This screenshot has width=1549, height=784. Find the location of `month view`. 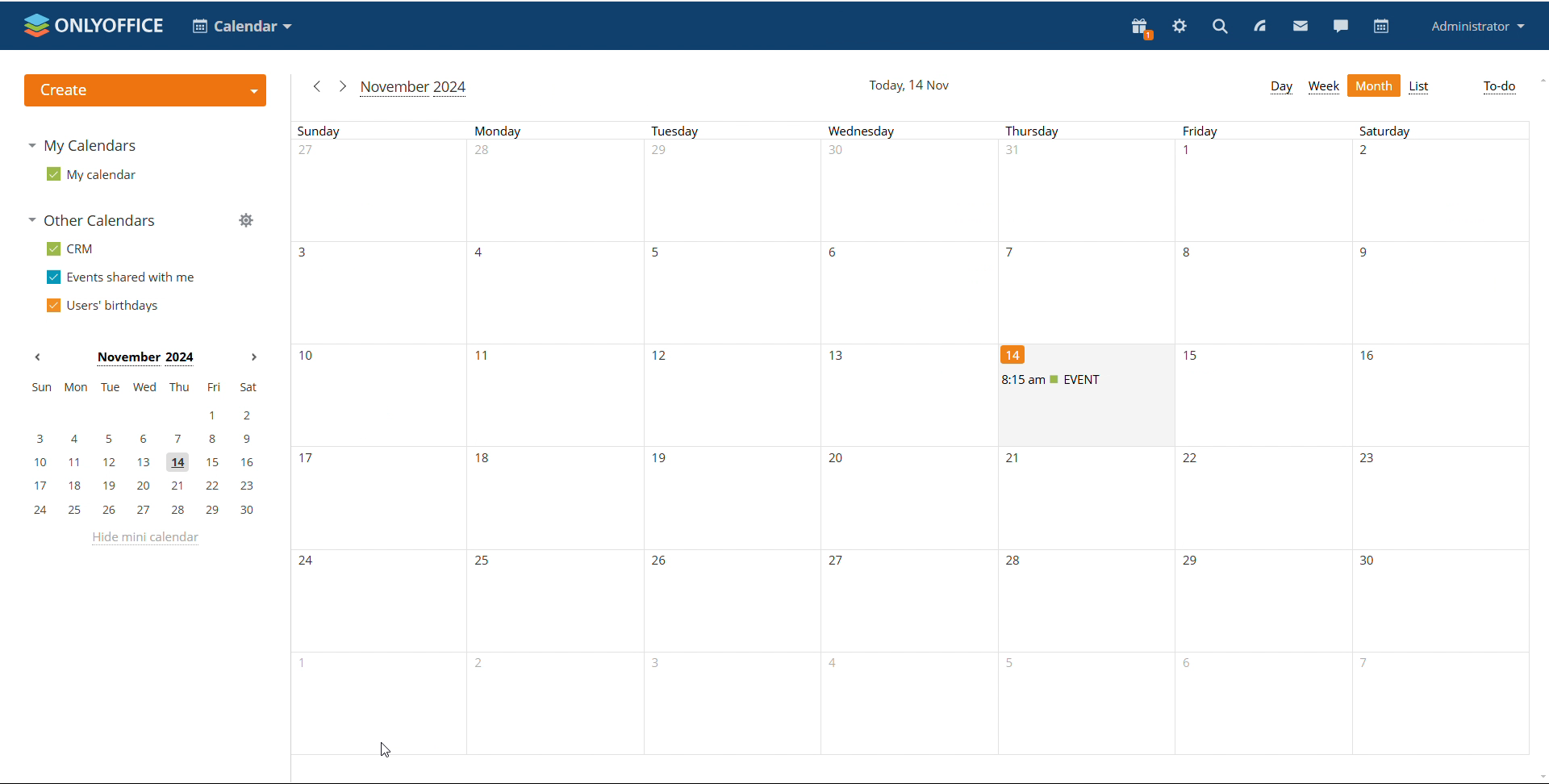

month view is located at coordinates (1375, 85).